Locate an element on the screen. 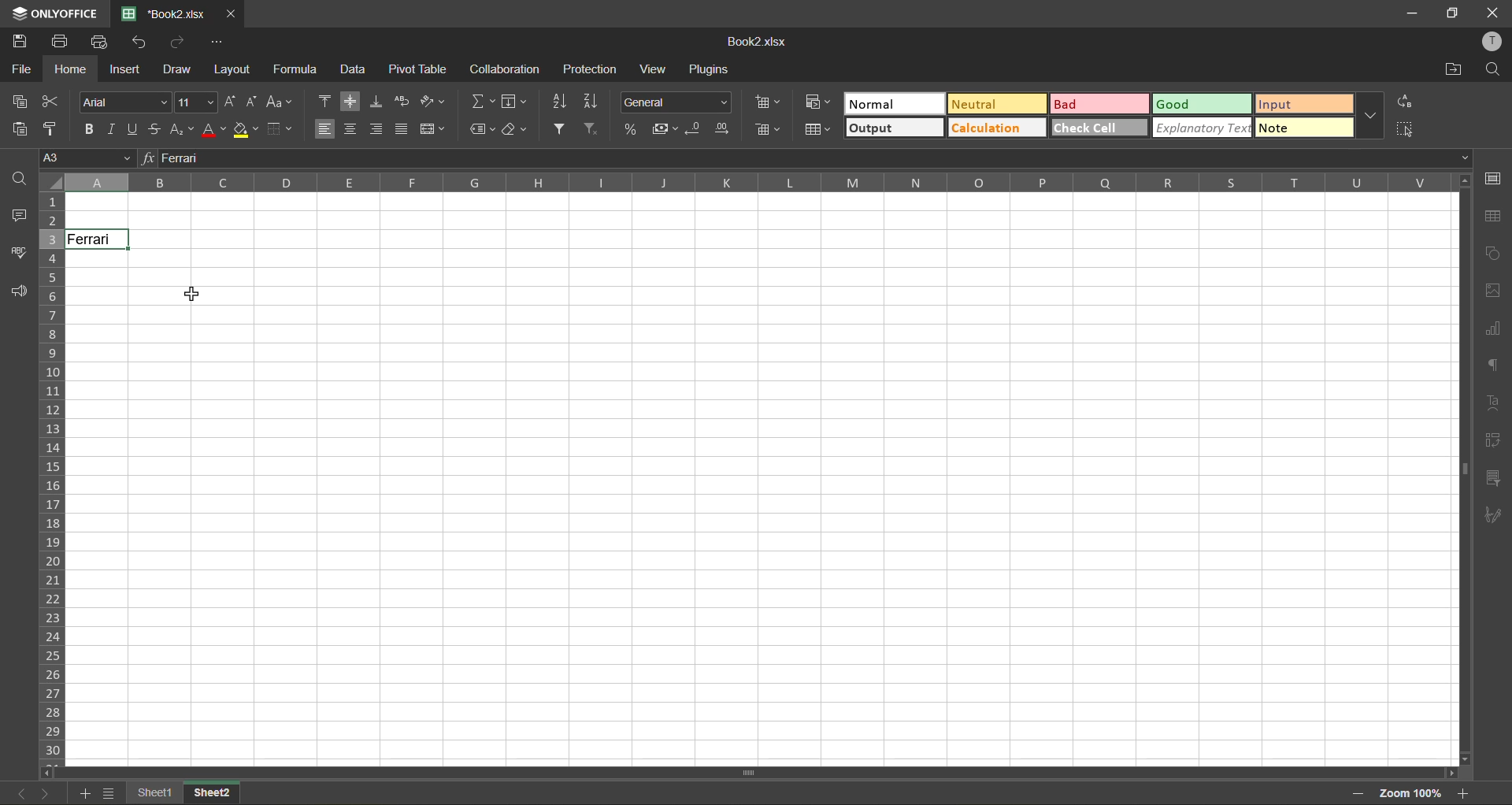 The height and width of the screenshot is (805, 1512). good is located at coordinates (1204, 106).